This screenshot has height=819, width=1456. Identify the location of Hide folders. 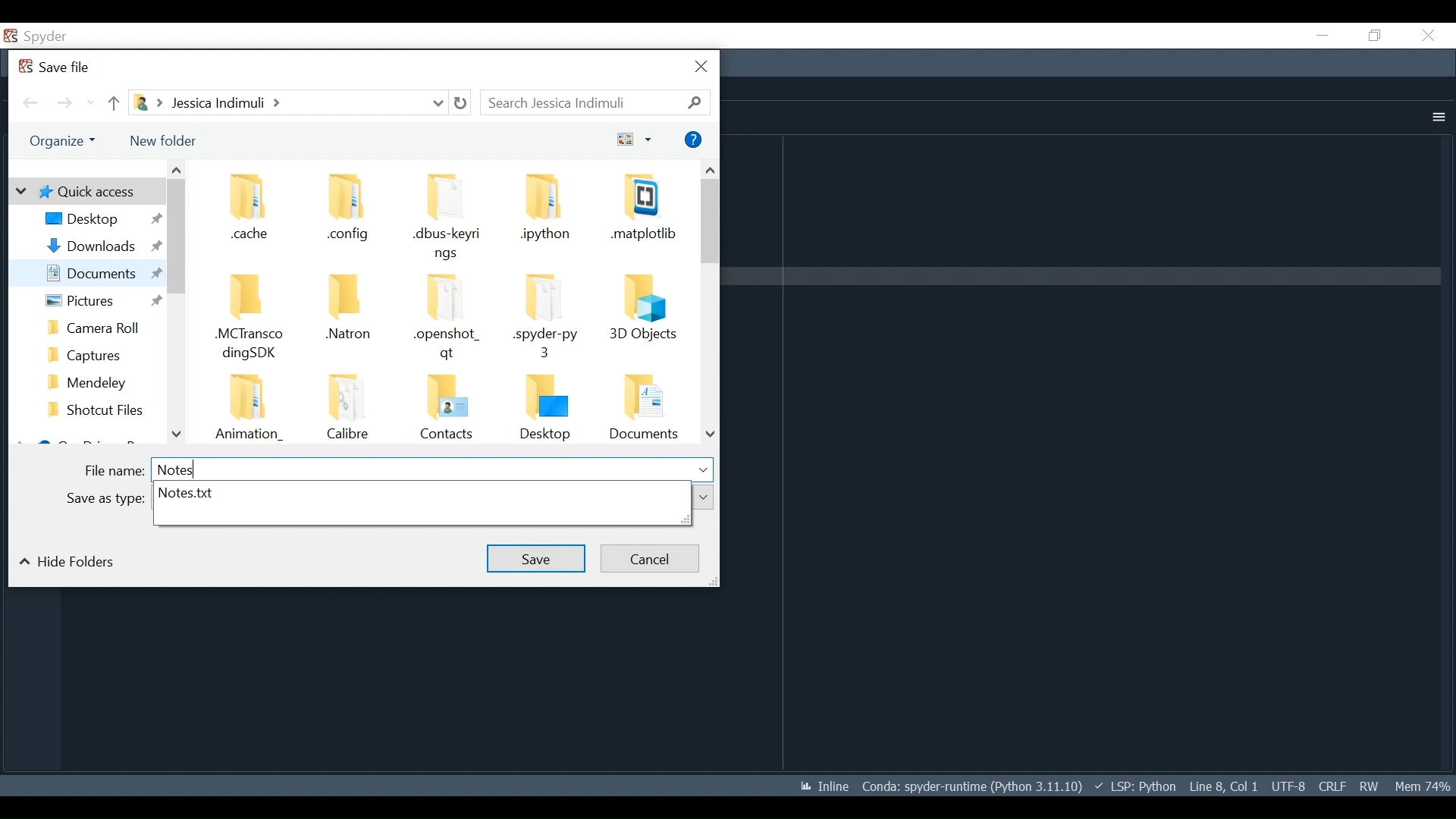
(72, 562).